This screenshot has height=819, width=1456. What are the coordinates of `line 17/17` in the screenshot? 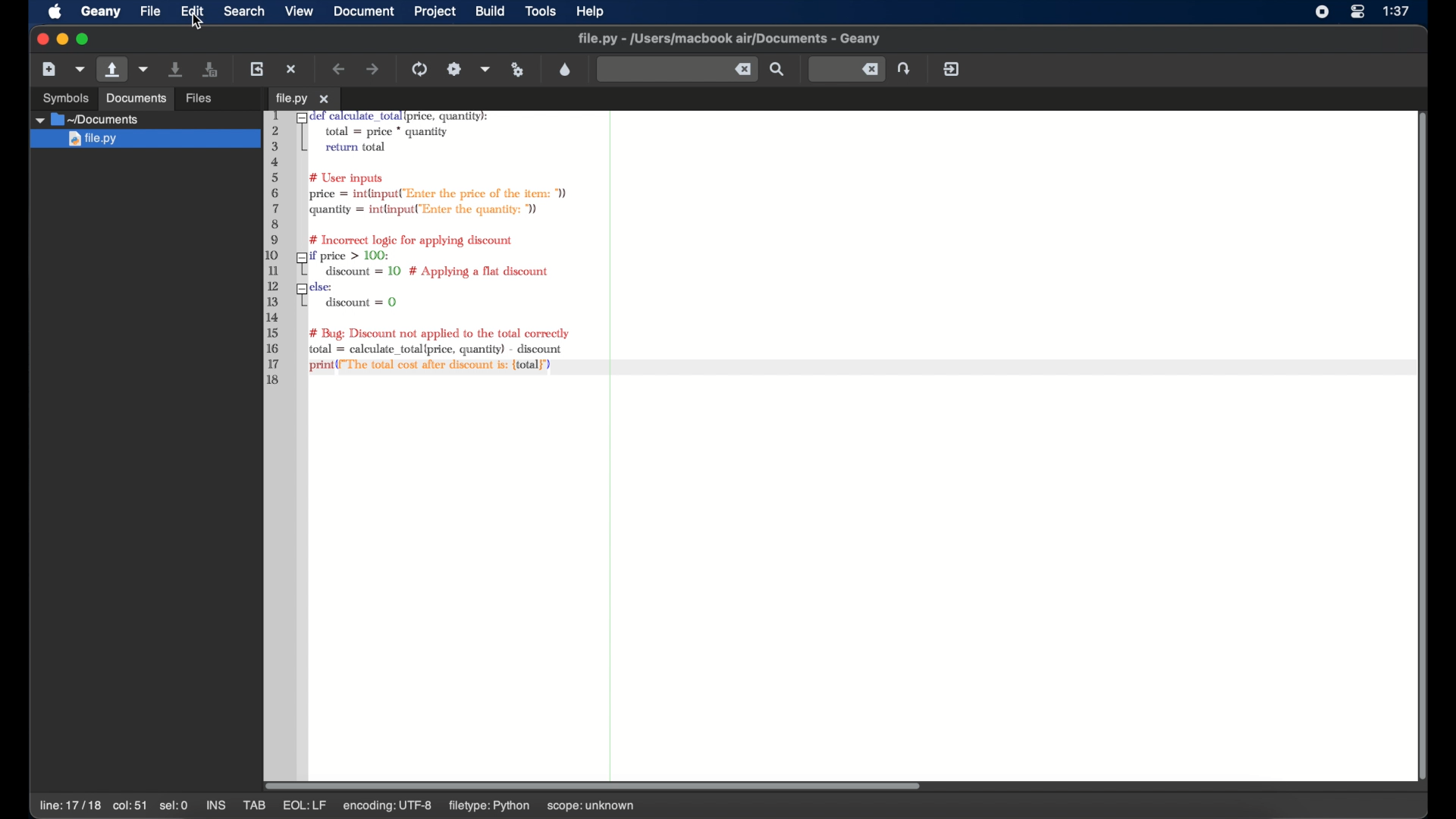 It's located at (69, 805).